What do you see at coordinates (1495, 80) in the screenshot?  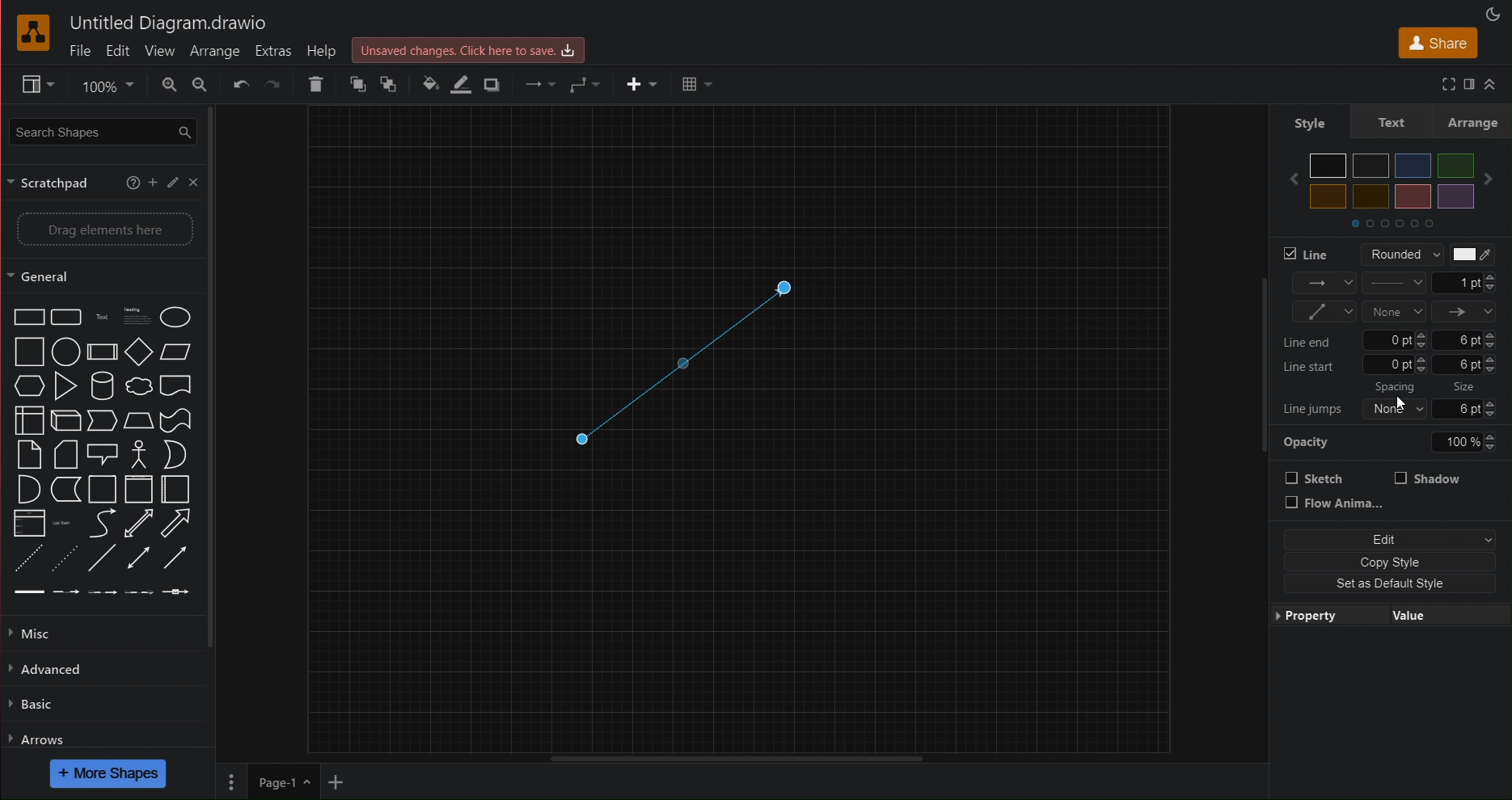 I see `arrow up` at bounding box center [1495, 80].